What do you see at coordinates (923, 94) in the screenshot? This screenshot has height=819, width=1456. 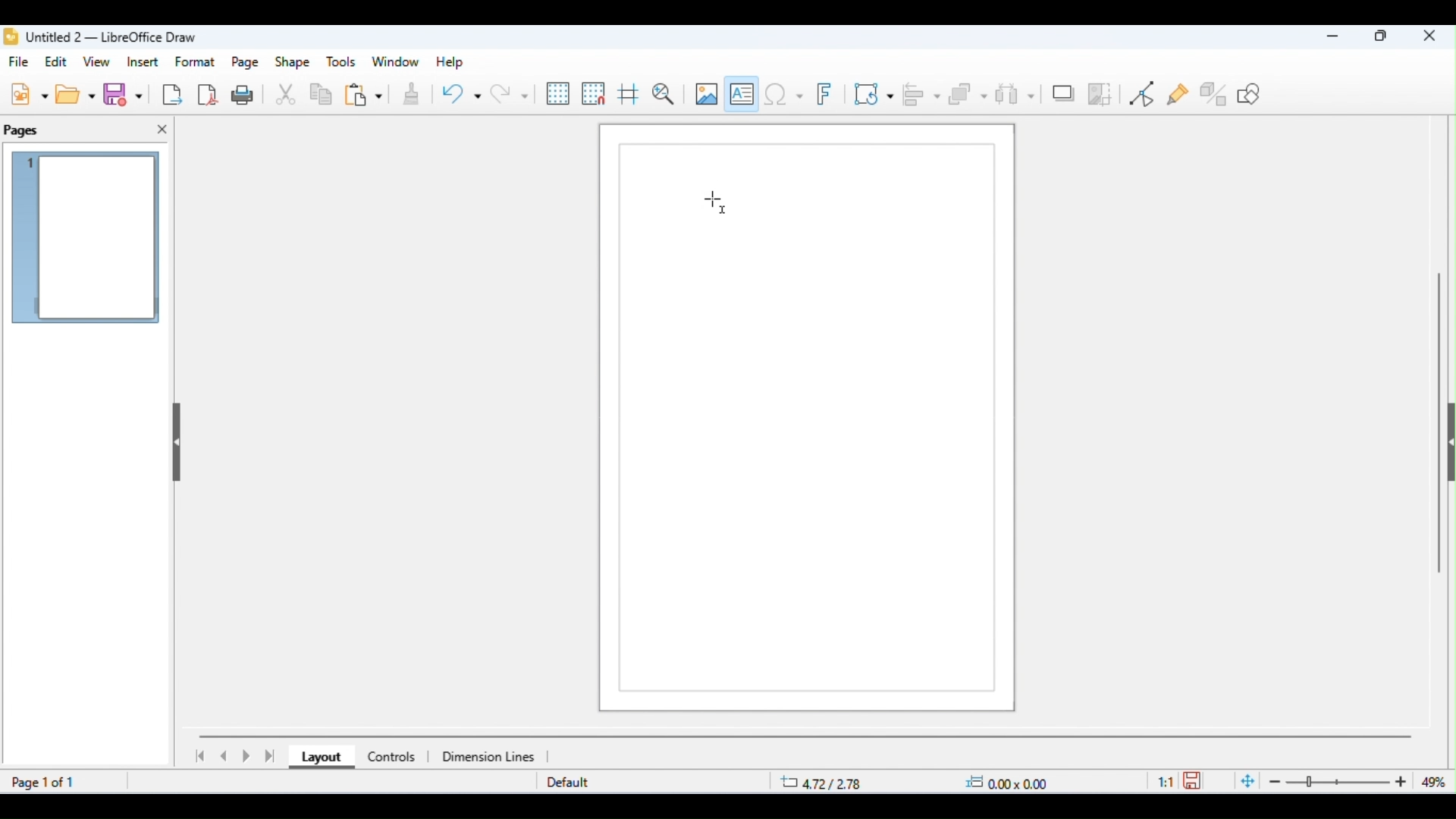 I see `align objects` at bounding box center [923, 94].